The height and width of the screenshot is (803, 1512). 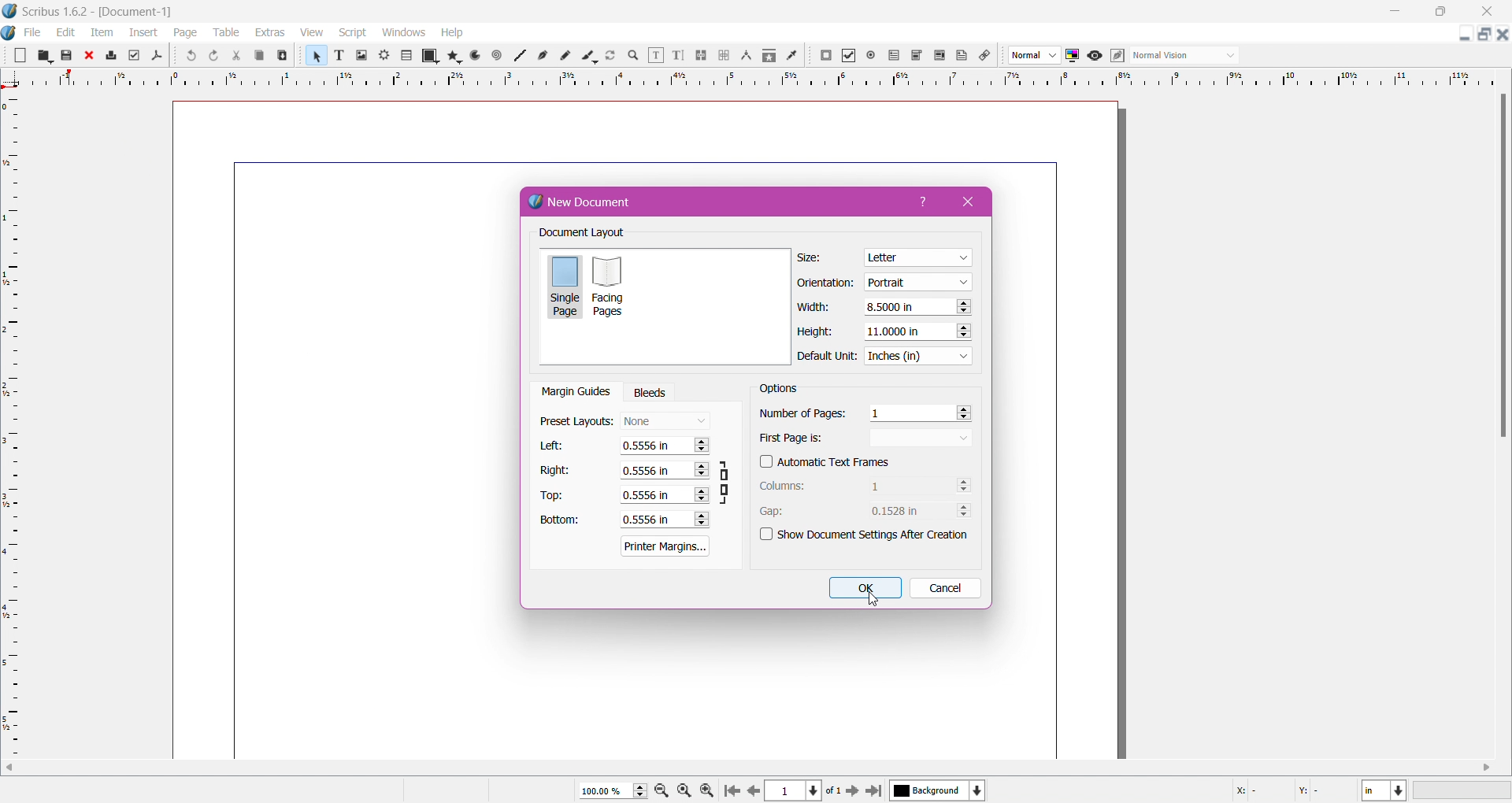 I want to click on Left scale, so click(x=13, y=413).